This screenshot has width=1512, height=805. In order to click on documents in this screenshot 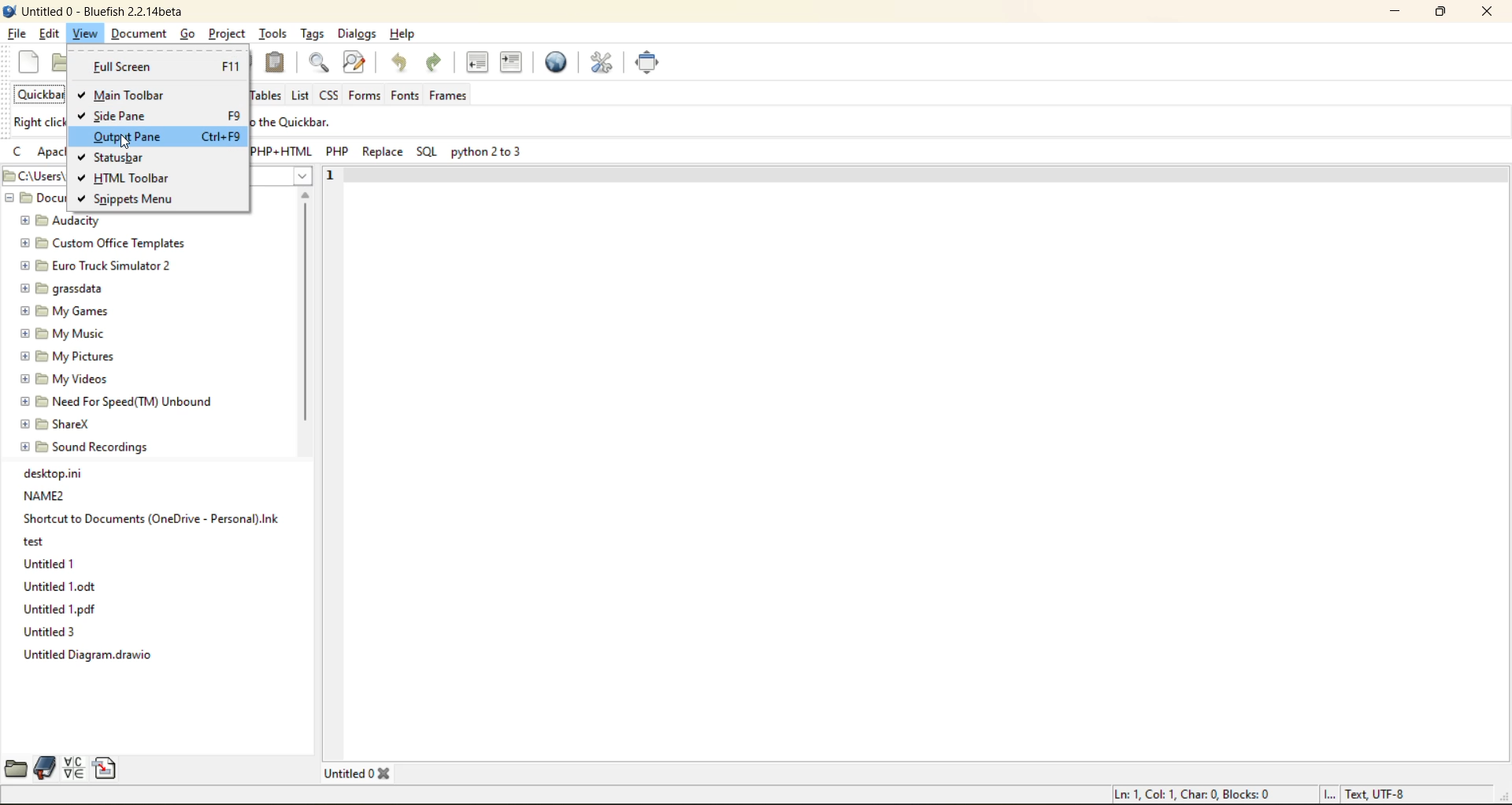, I will do `click(34, 198)`.